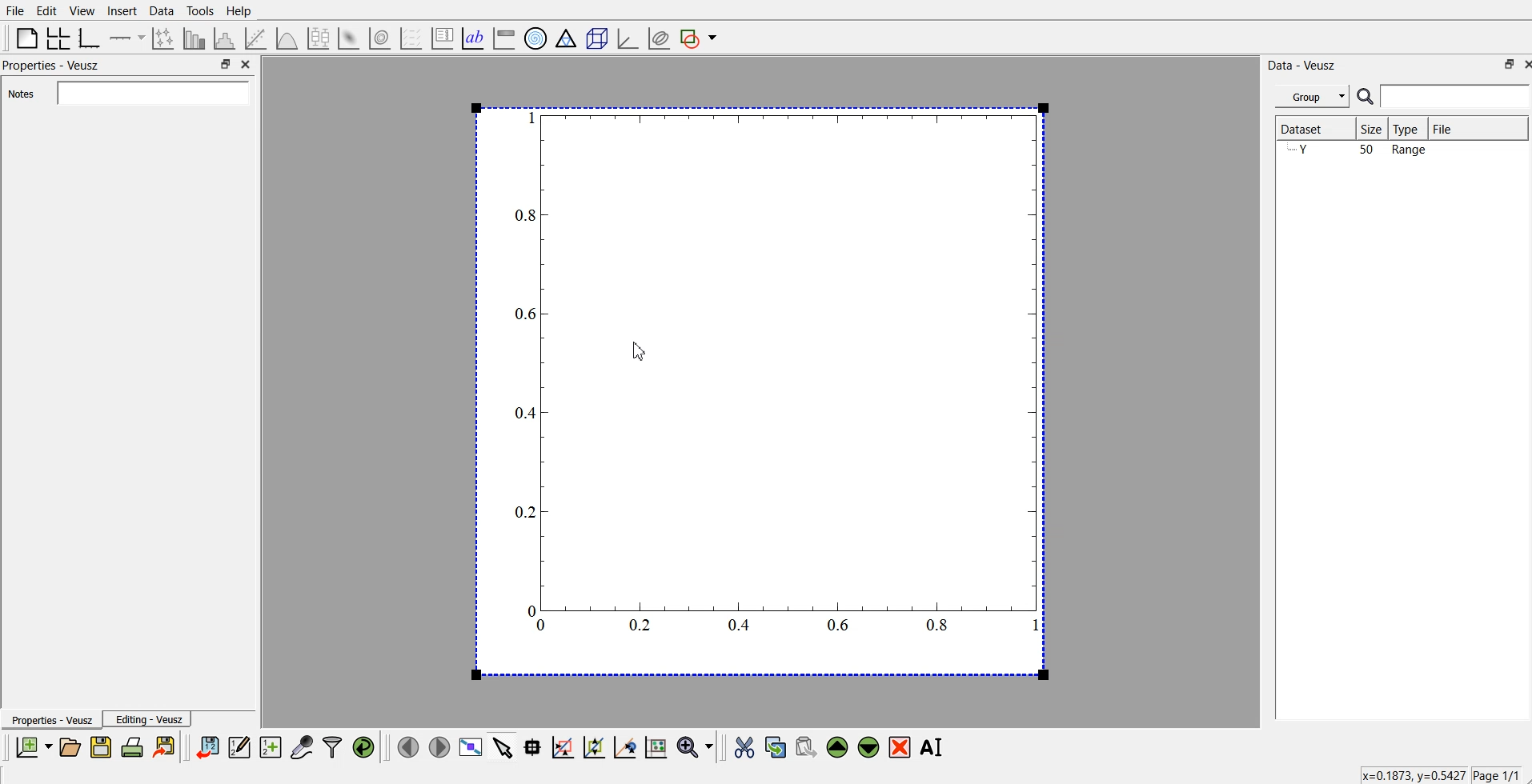  I want to click on Group , so click(1313, 96).